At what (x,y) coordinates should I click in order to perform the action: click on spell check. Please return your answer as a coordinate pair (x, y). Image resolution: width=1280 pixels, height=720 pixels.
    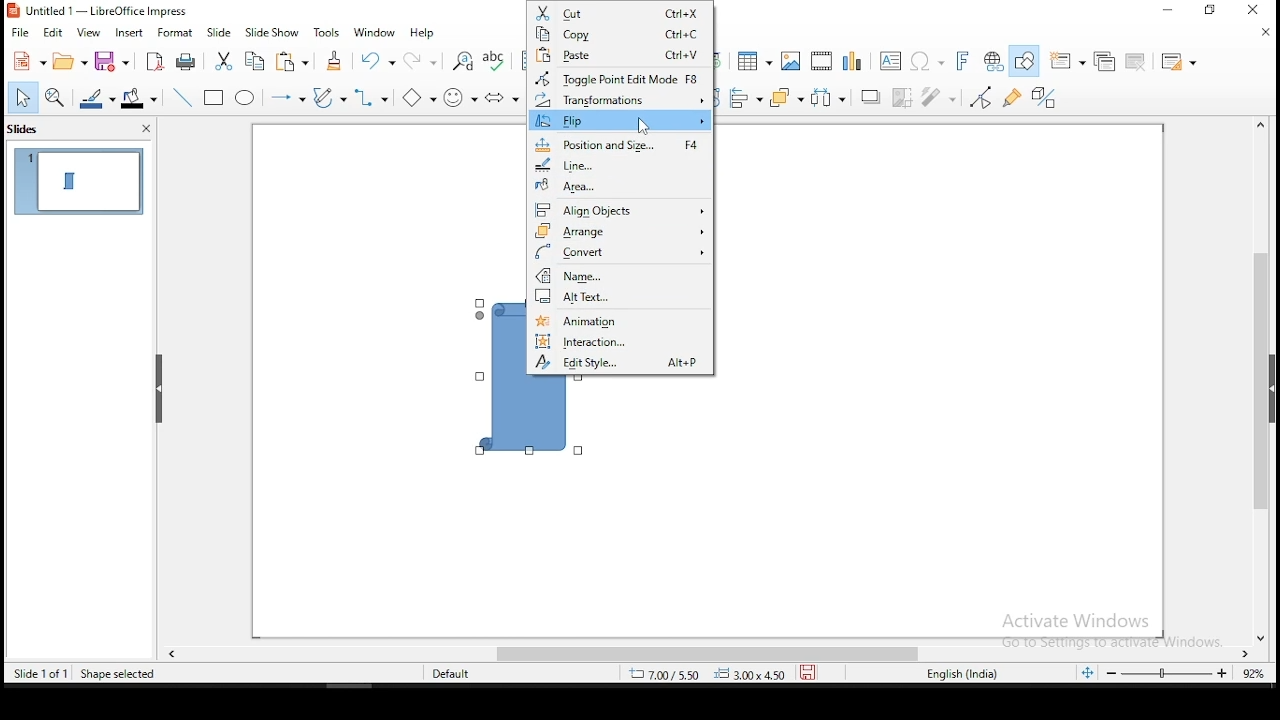
    Looking at the image, I should click on (497, 60).